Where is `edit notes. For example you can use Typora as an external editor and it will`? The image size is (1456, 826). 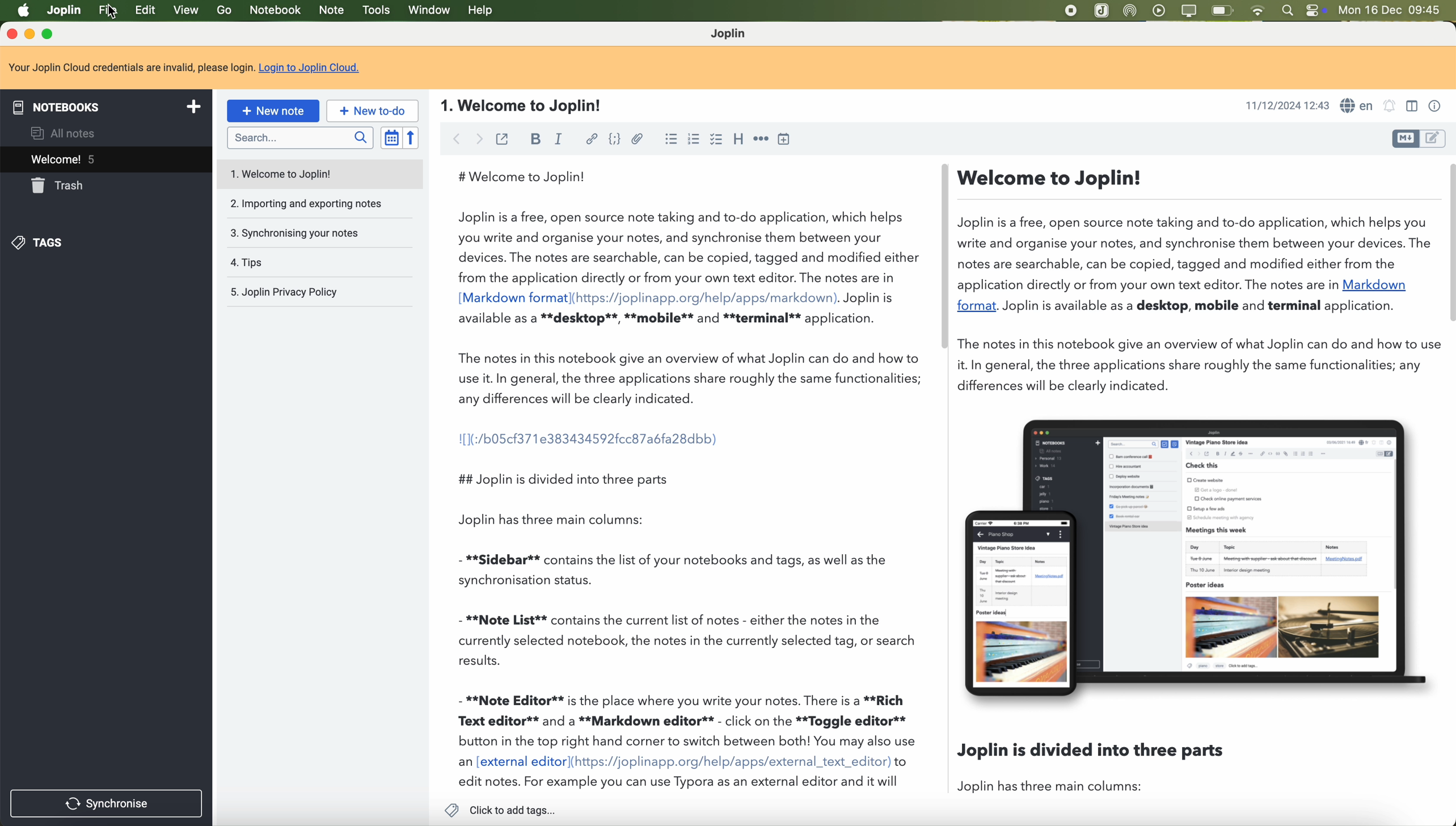 edit notes. For example you can use Typora as an external editor and it will is located at coordinates (680, 783).